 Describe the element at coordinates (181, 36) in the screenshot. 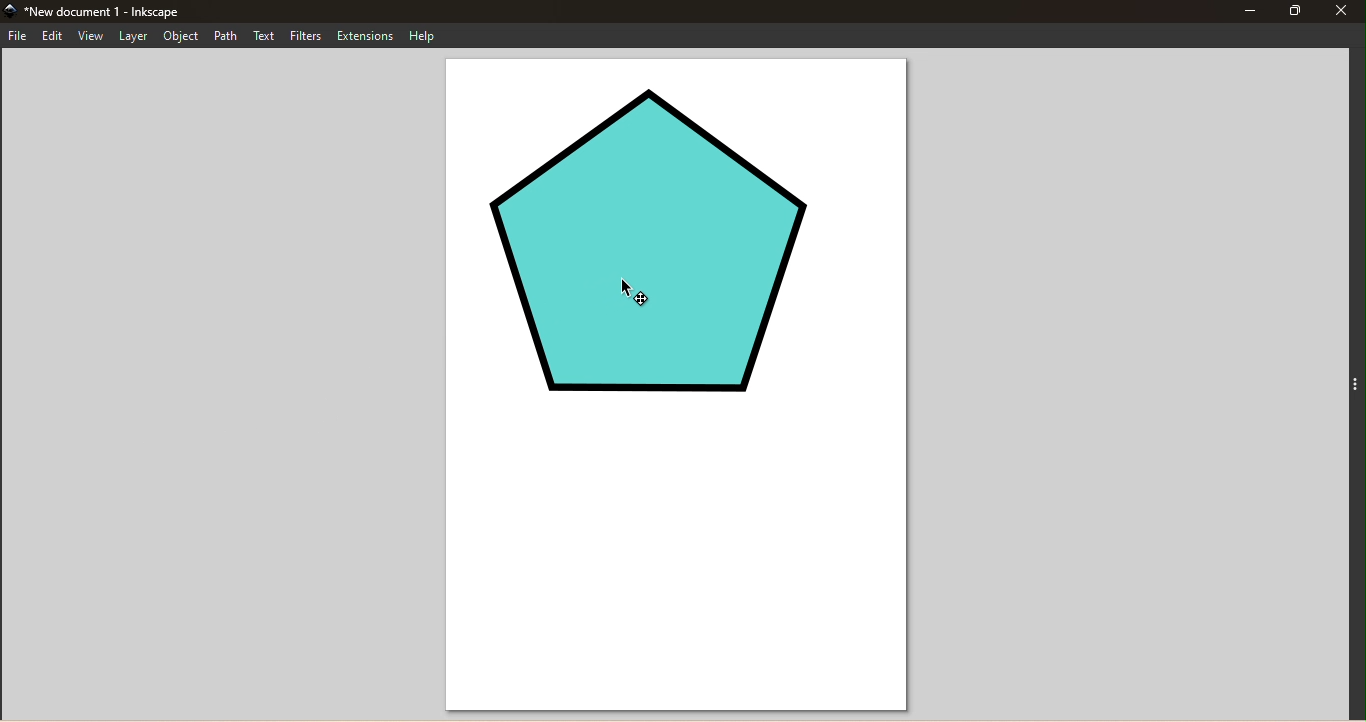

I see `Object` at that location.